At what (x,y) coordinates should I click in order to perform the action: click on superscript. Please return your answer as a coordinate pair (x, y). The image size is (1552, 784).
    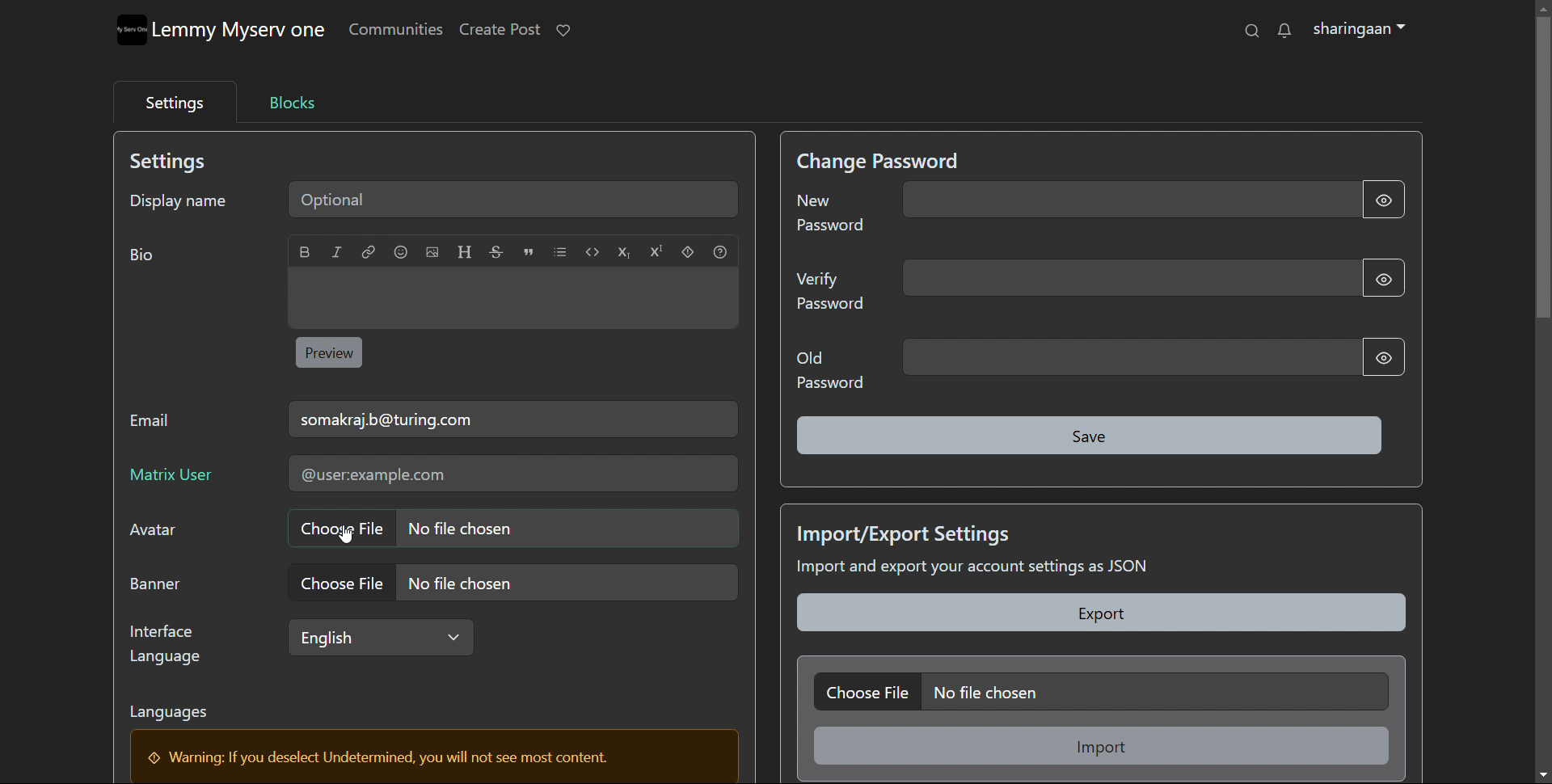
    Looking at the image, I should click on (656, 250).